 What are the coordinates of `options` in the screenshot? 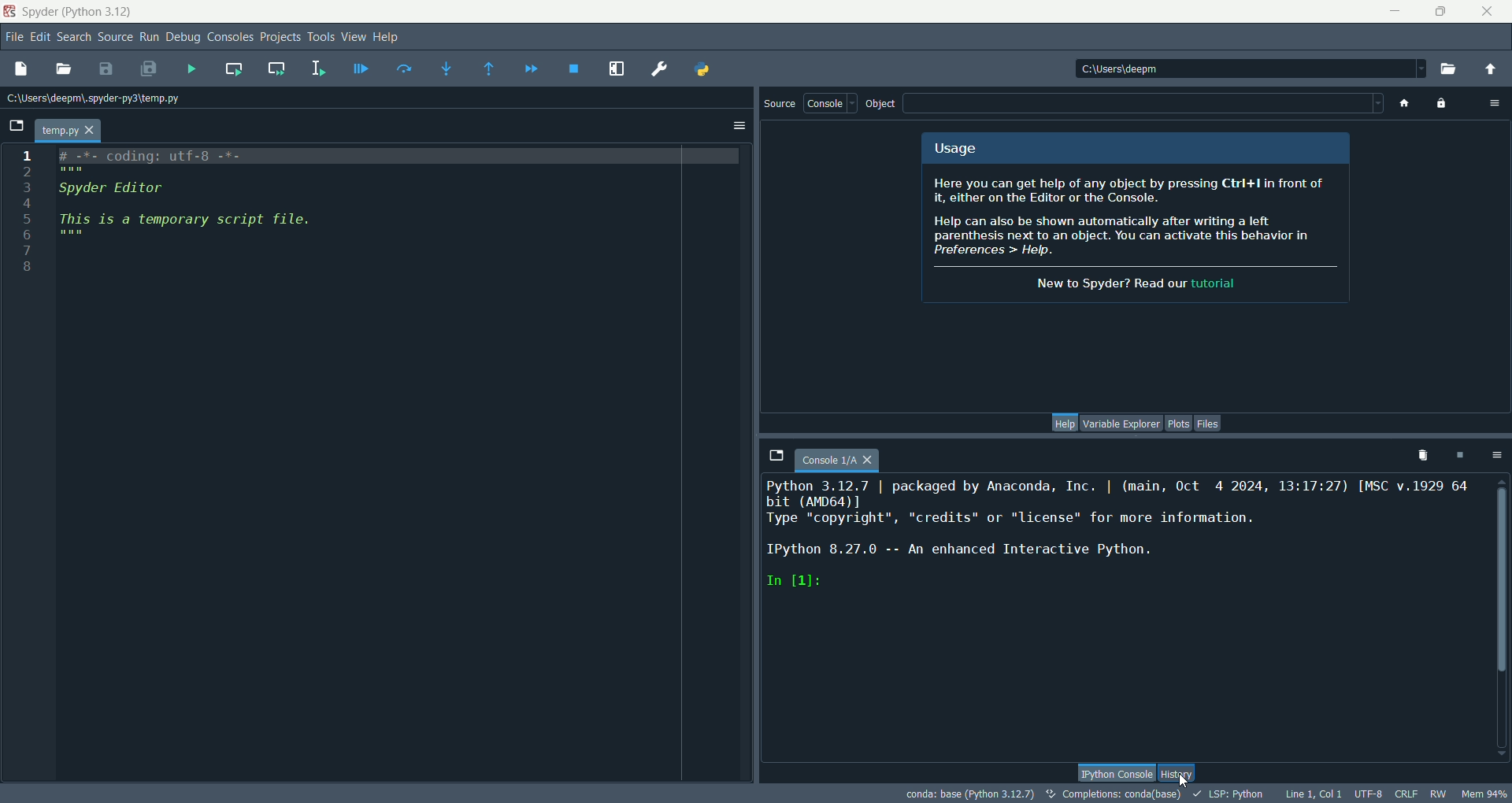 It's located at (1495, 105).